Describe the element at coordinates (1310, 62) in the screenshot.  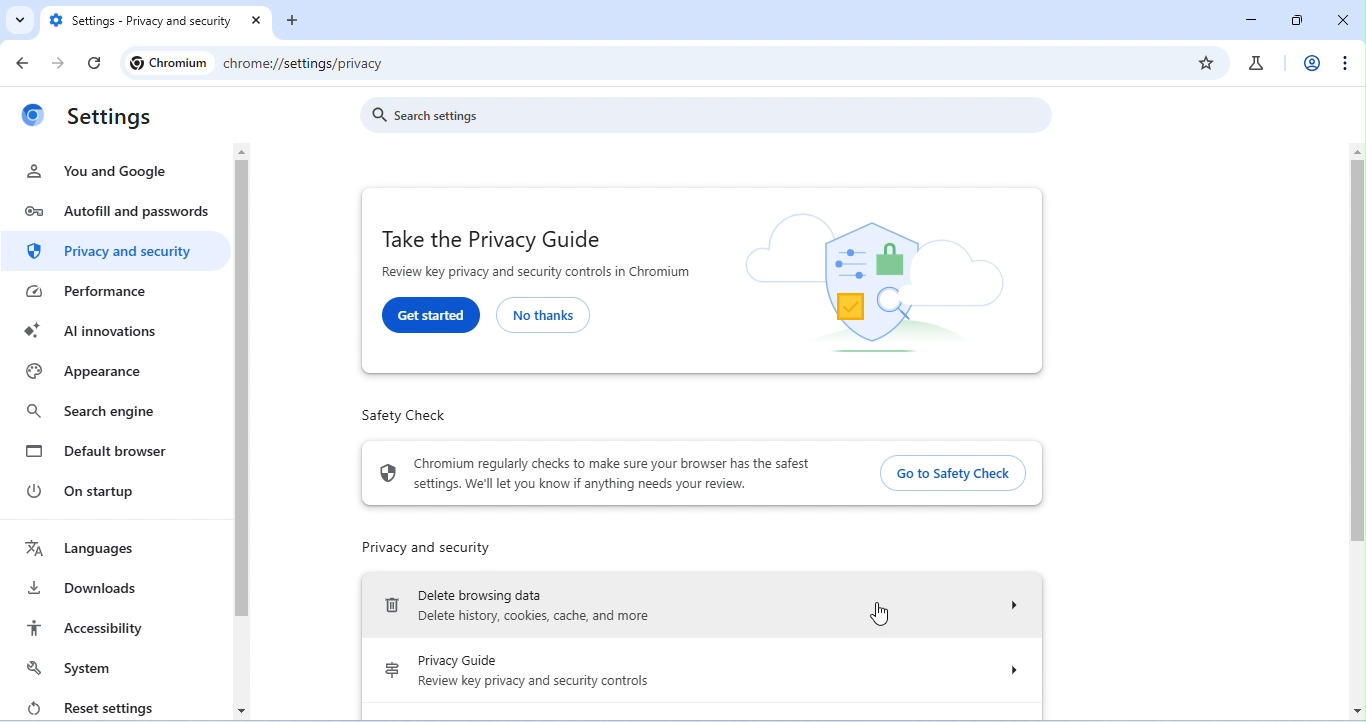
I see `account` at that location.